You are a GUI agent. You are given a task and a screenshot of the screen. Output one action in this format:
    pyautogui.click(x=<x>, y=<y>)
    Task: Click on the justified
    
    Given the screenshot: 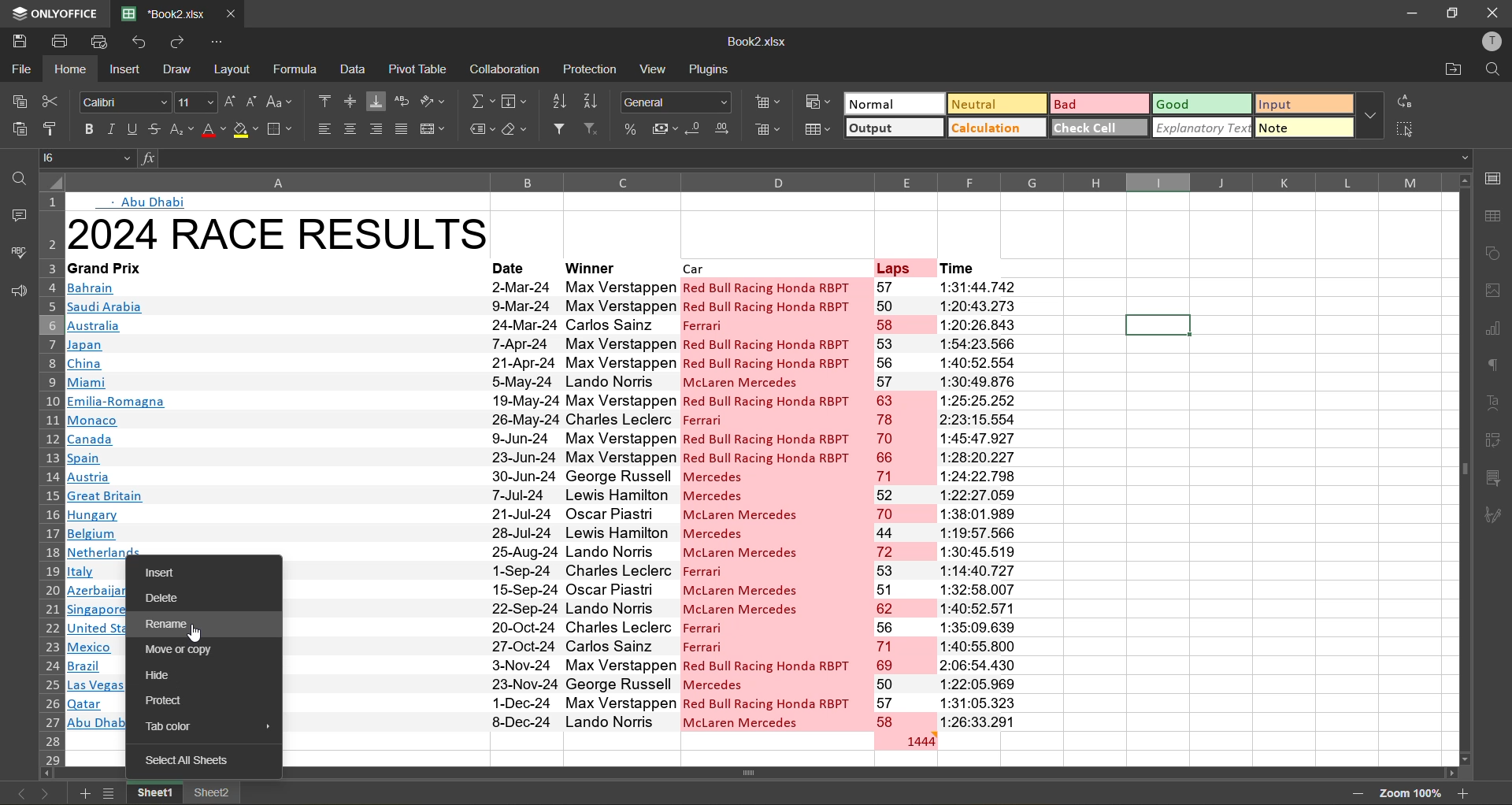 What is the action you would take?
    pyautogui.click(x=401, y=131)
    